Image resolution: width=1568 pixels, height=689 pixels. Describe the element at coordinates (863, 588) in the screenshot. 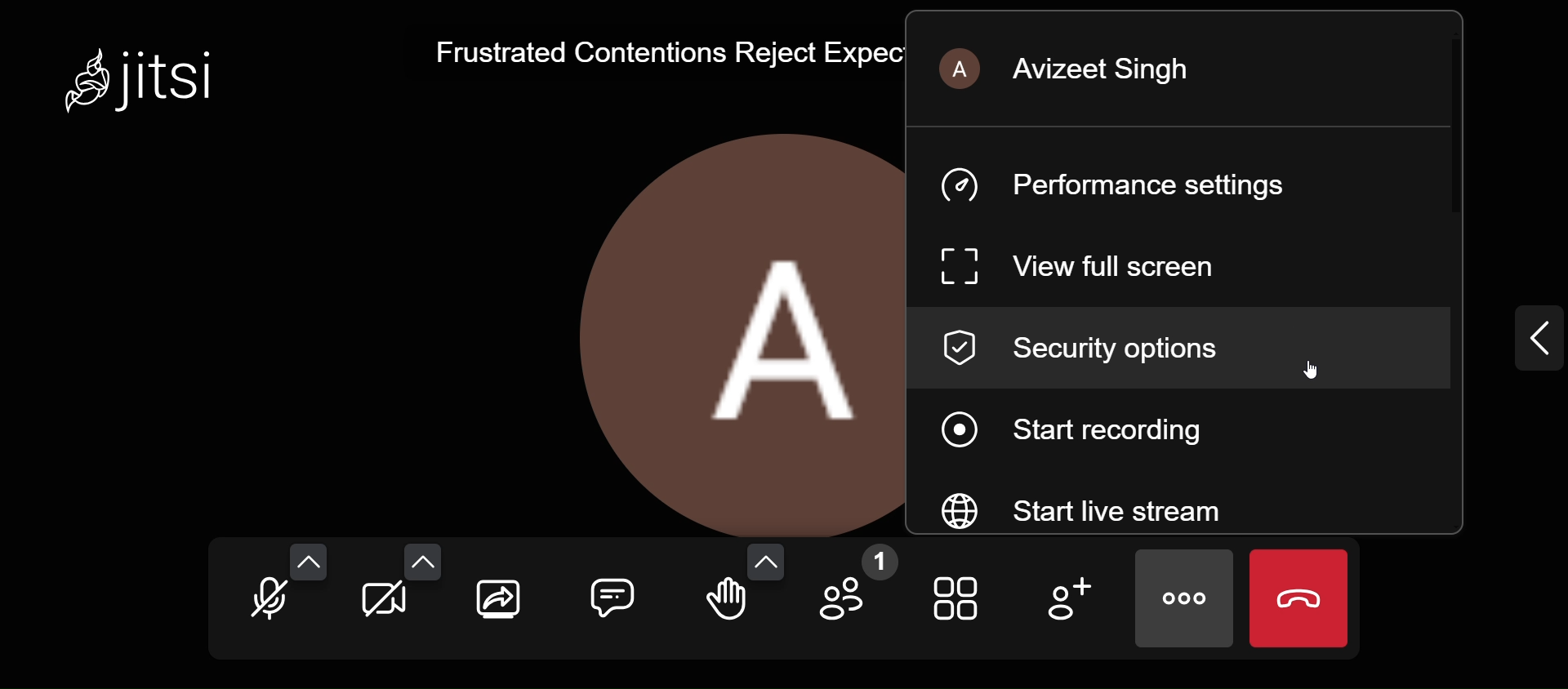

I see `participants` at that location.